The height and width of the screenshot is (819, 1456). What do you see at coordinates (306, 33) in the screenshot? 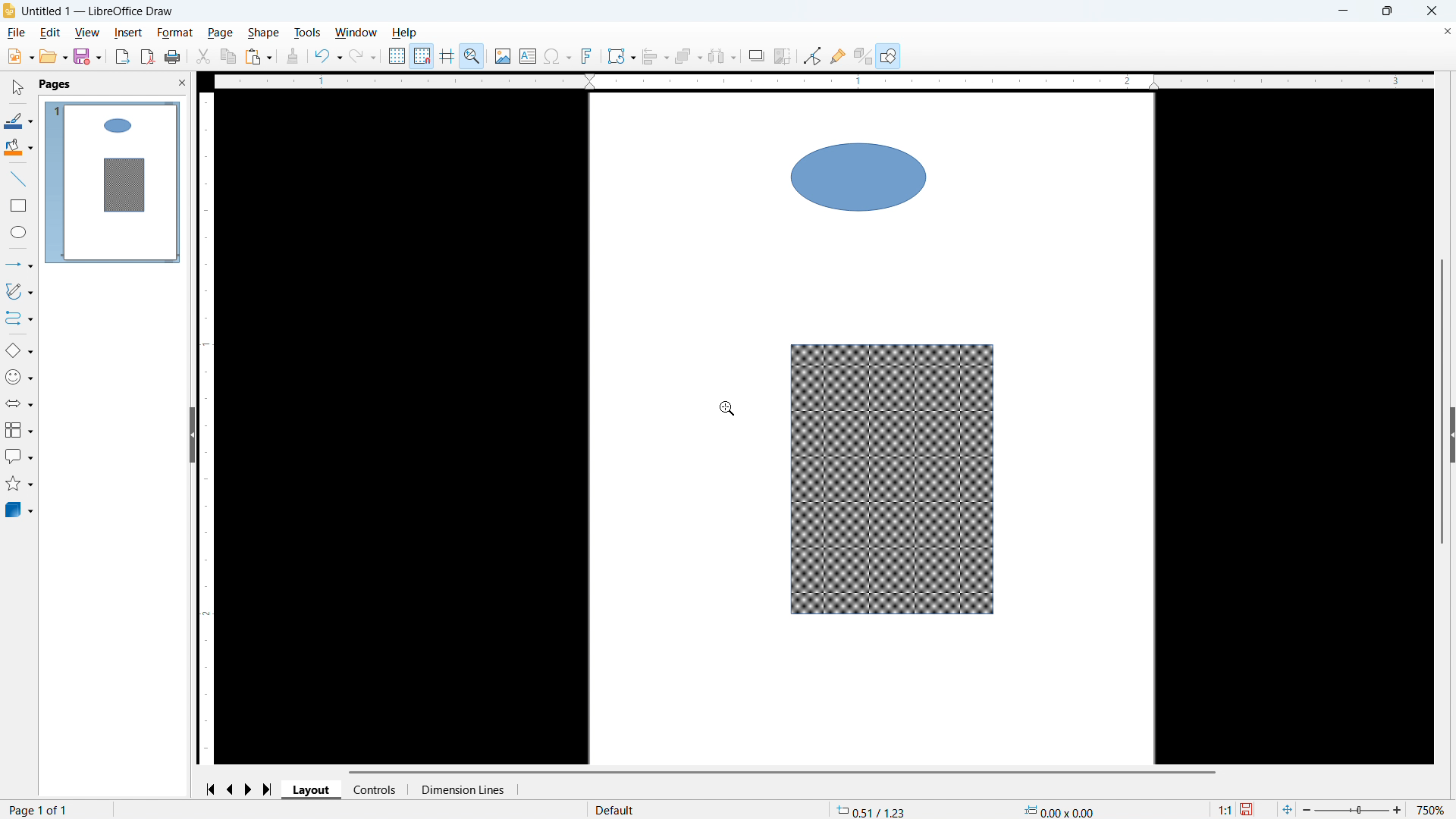
I see `Tools ` at bounding box center [306, 33].